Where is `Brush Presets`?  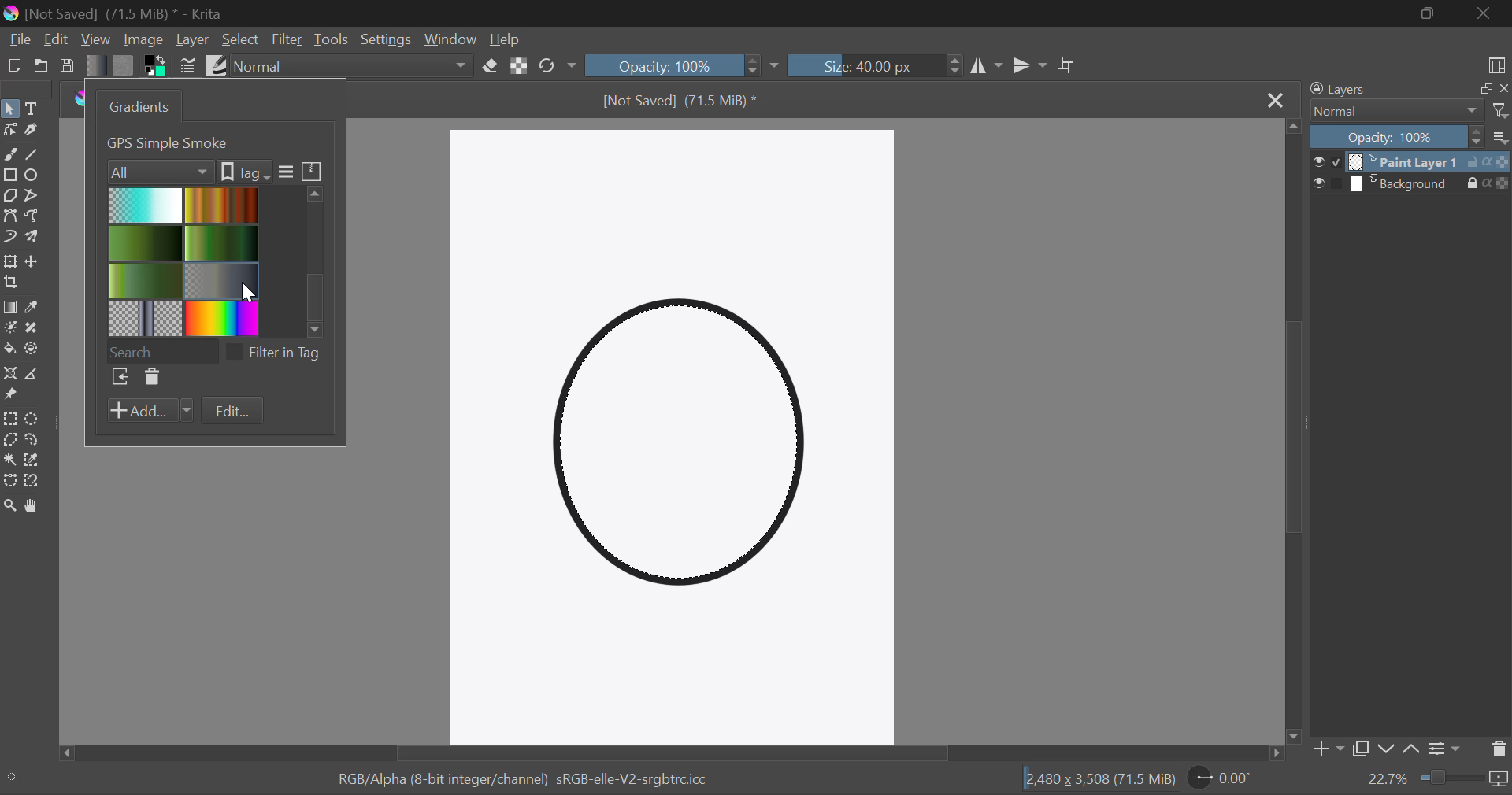 Brush Presets is located at coordinates (219, 67).